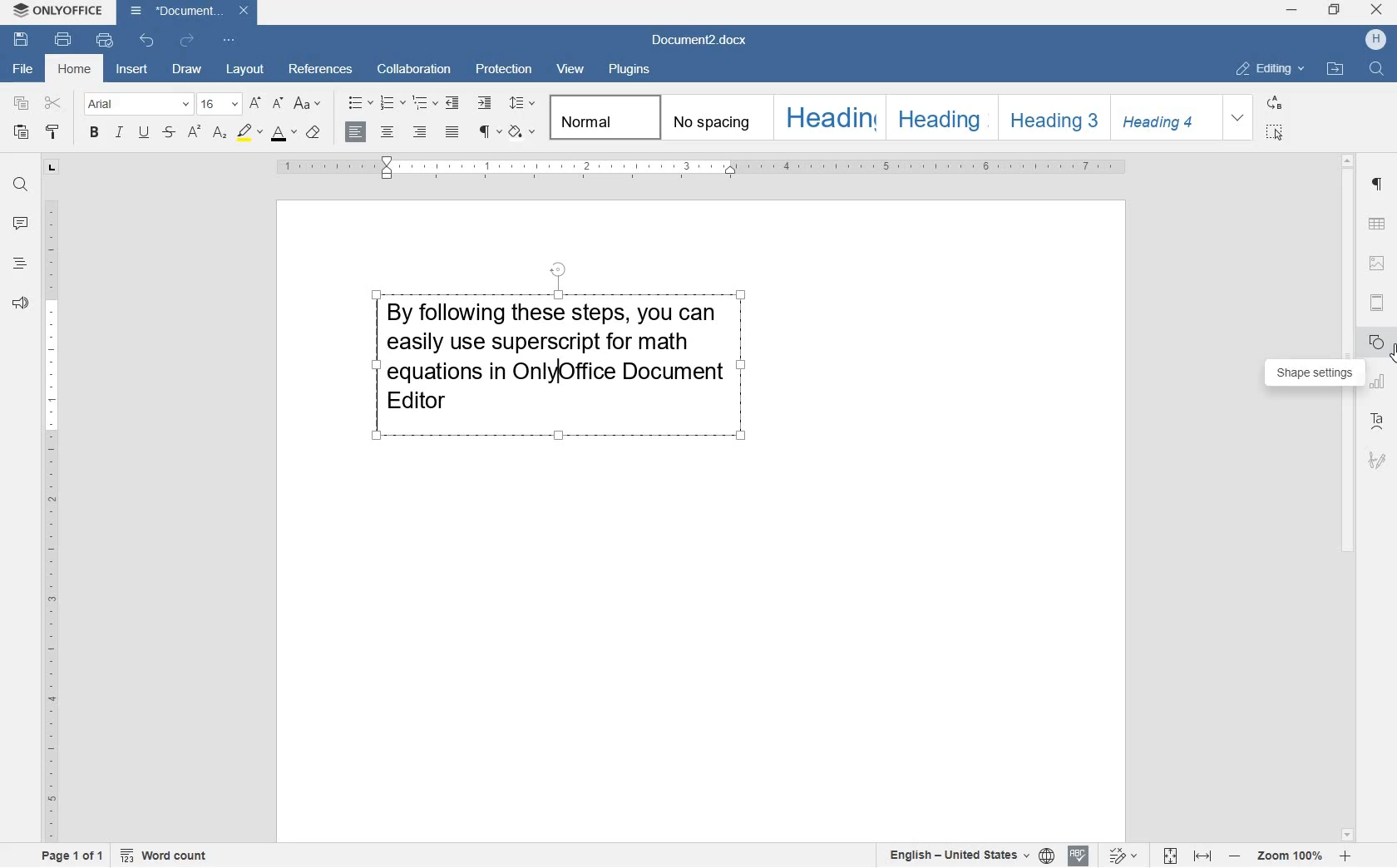 This screenshot has height=868, width=1397. I want to click on undo, so click(148, 41).